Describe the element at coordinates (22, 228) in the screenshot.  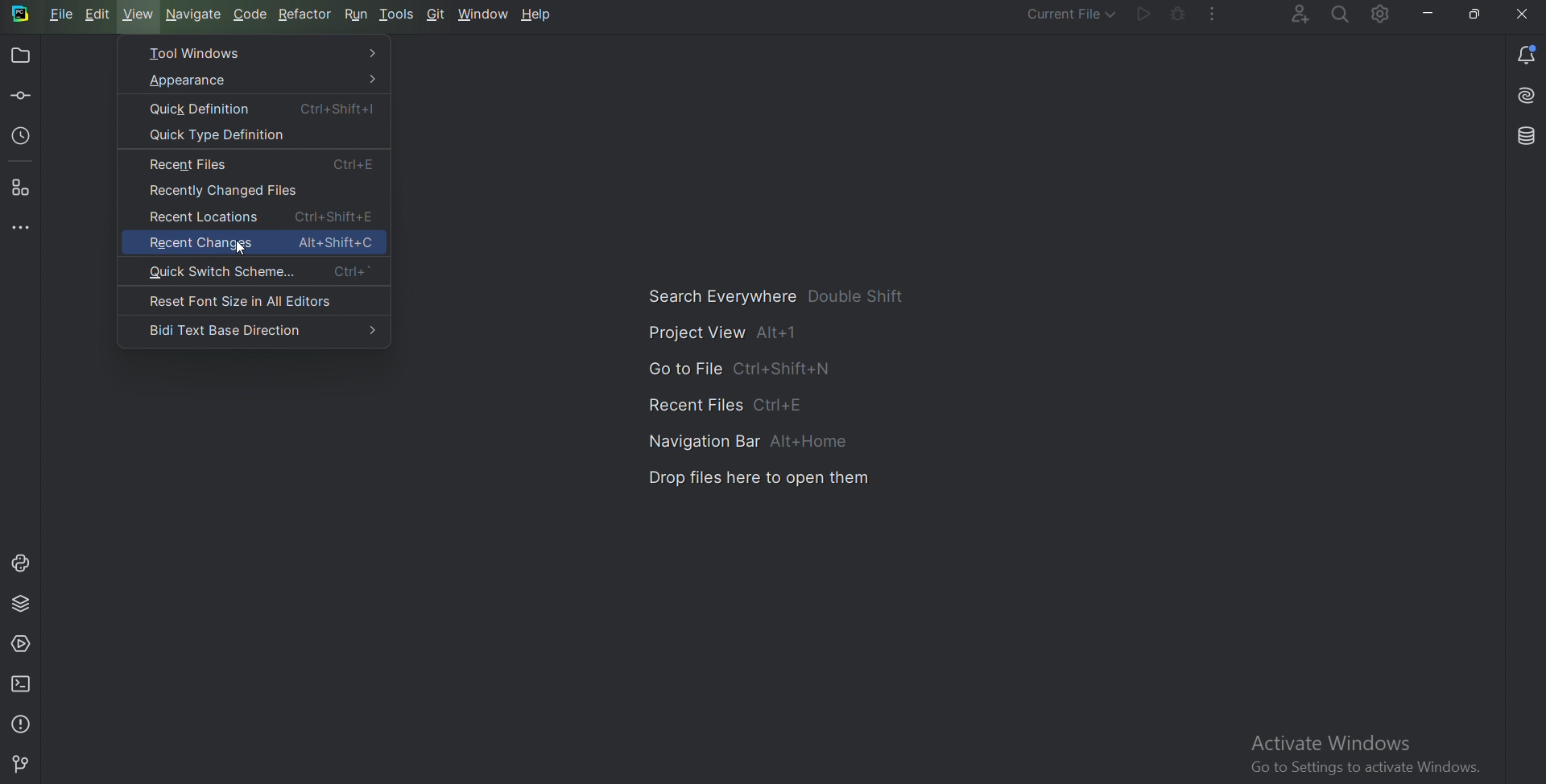
I see `More tool windows` at that location.